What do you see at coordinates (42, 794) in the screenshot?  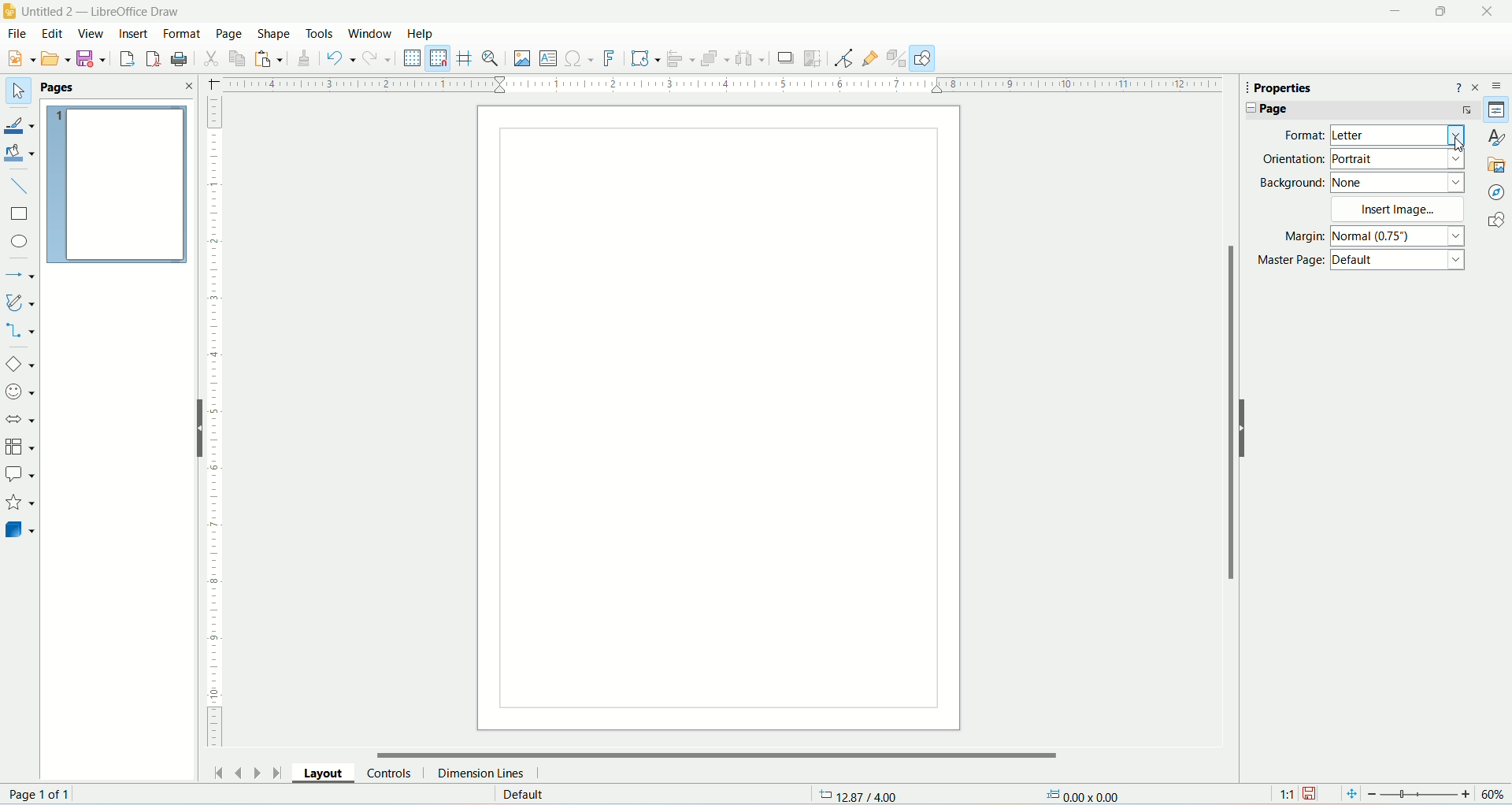 I see `page` at bounding box center [42, 794].